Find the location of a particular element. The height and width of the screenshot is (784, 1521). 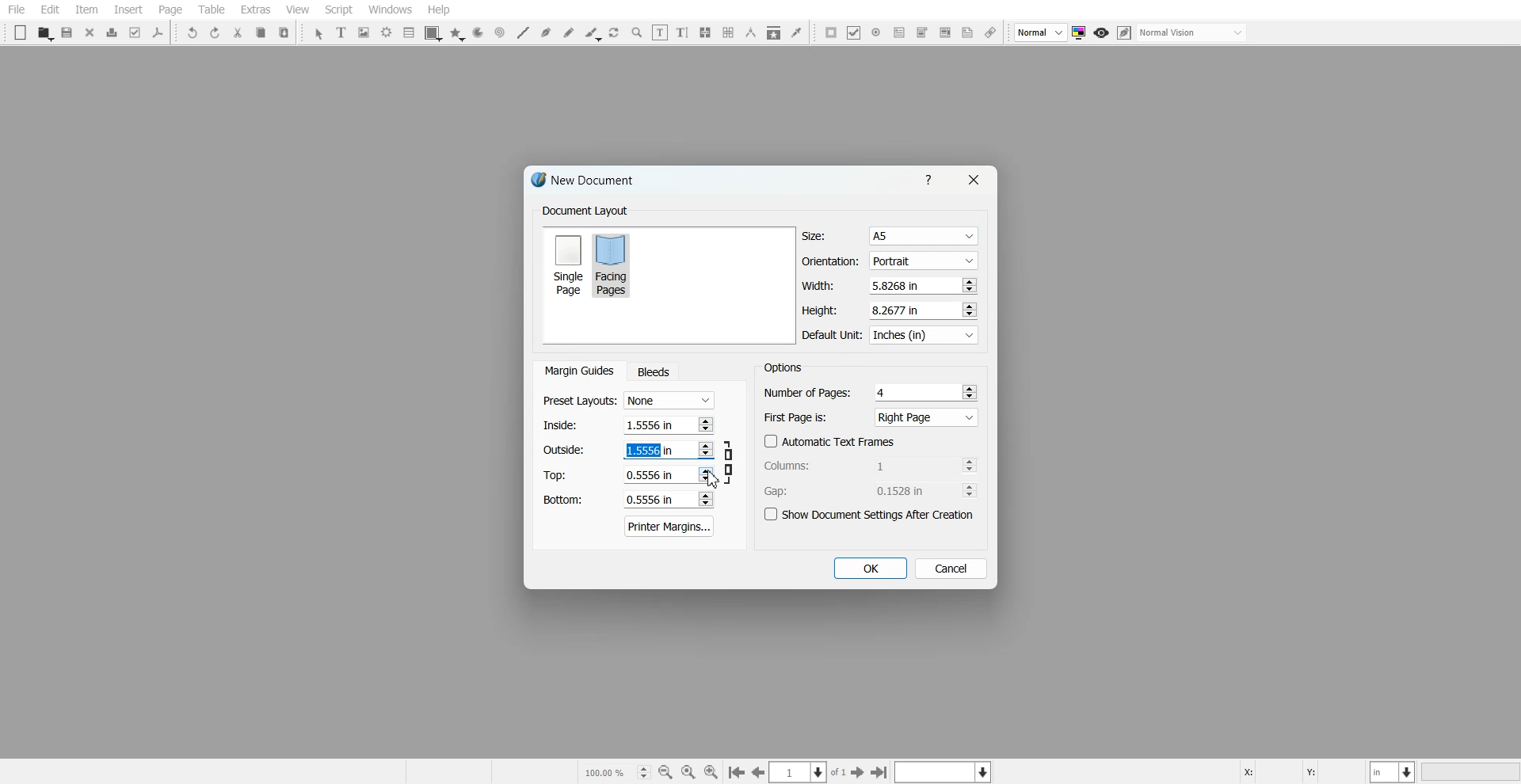

View is located at coordinates (297, 10).